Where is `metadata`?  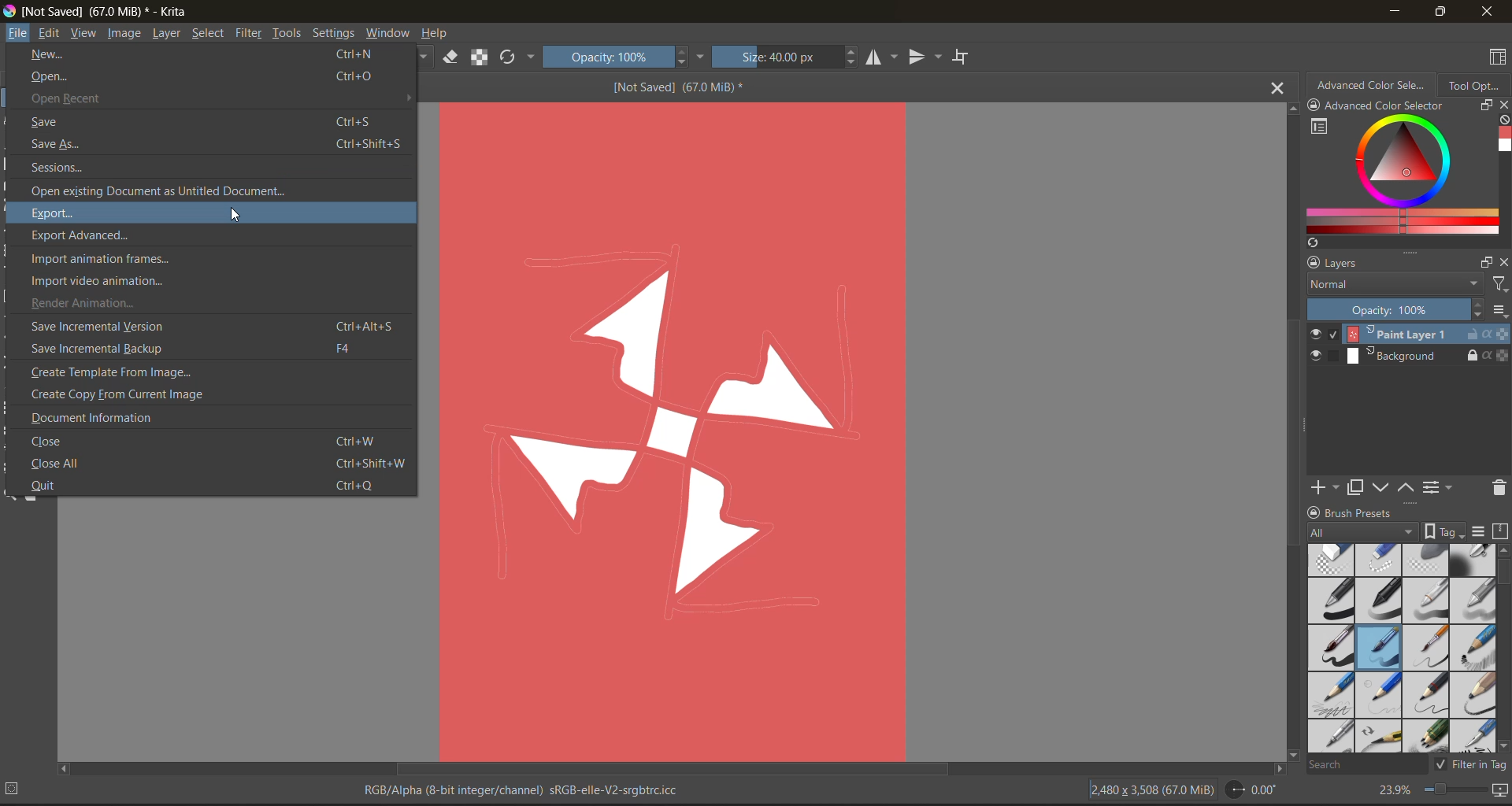
metadata is located at coordinates (530, 787).